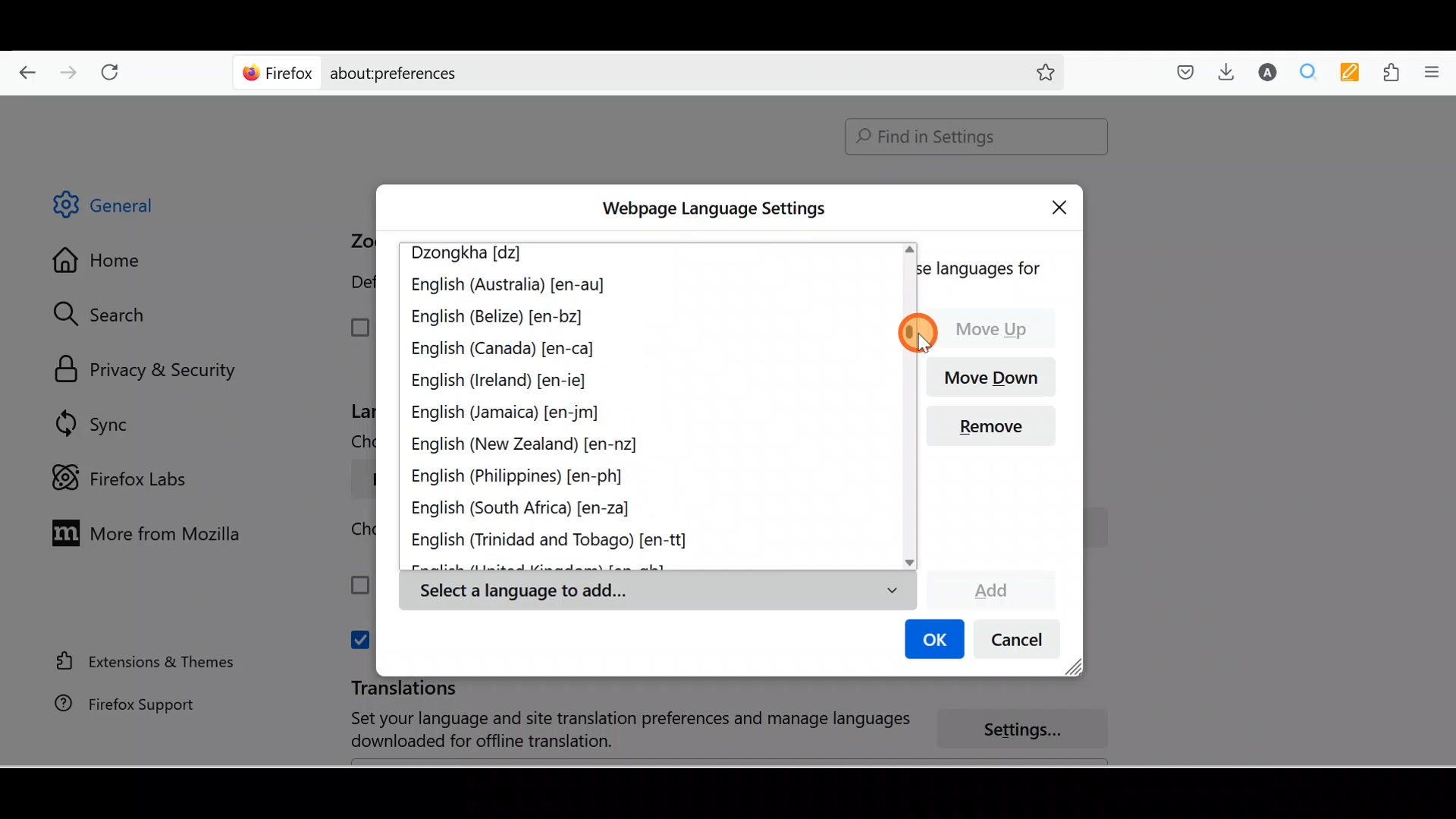 This screenshot has height=819, width=1456. Describe the element at coordinates (560, 541) in the screenshot. I see `English (Trinidad and Tobago) [en-tt]` at that location.